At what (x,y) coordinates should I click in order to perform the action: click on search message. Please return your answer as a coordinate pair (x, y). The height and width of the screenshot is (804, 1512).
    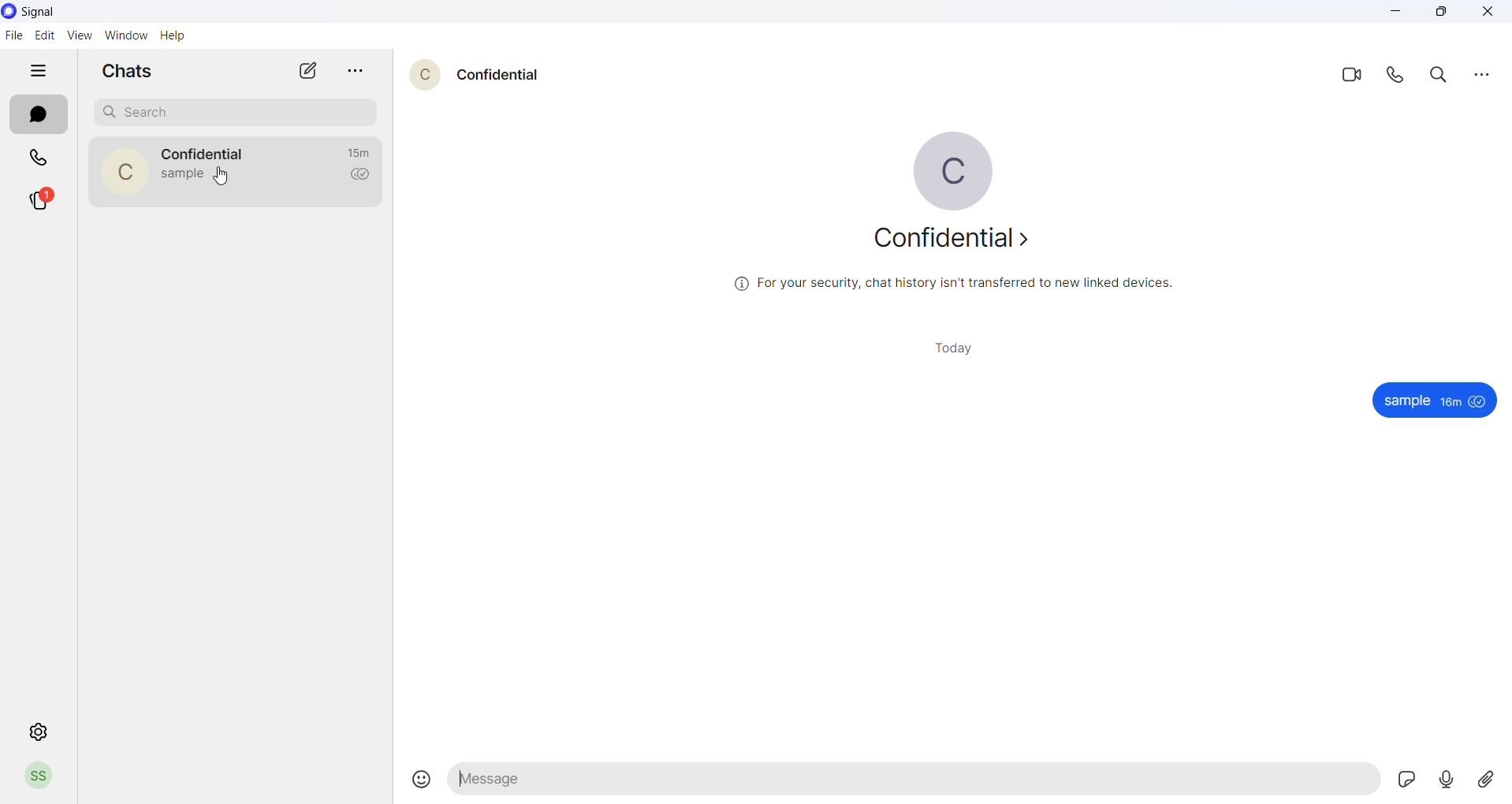
    Looking at the image, I should click on (1442, 76).